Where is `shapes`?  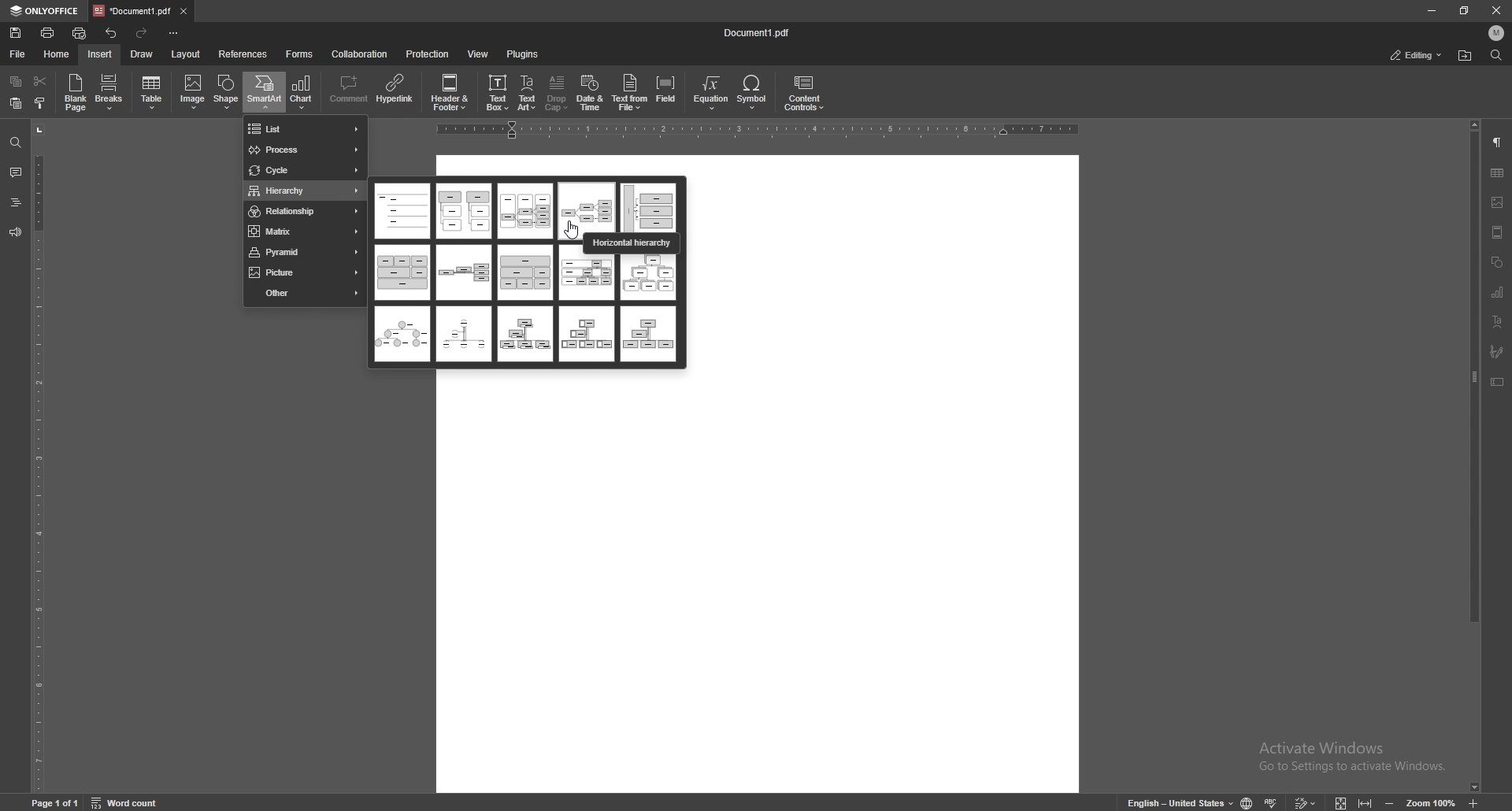 shapes is located at coordinates (1498, 261).